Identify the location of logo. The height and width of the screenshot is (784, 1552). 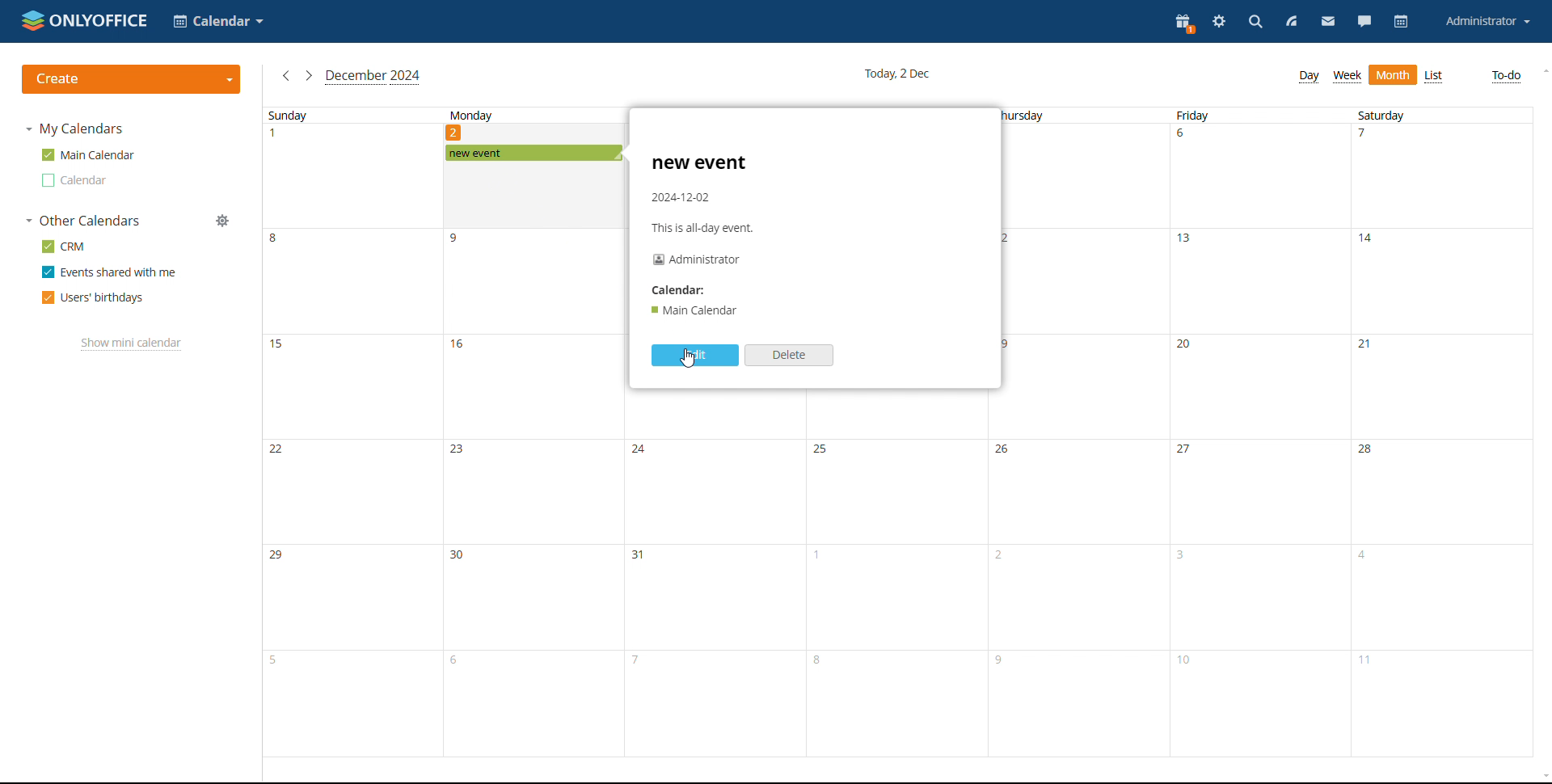
(86, 20).